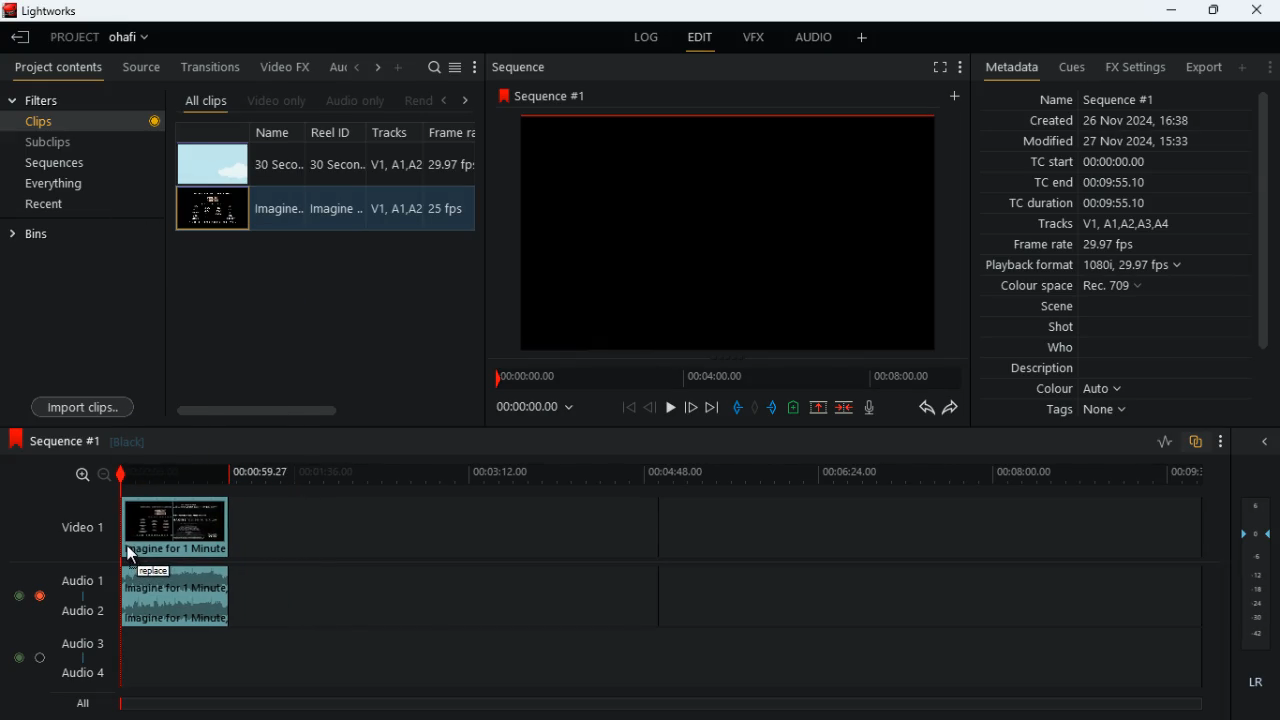  I want to click on filters, so click(46, 101).